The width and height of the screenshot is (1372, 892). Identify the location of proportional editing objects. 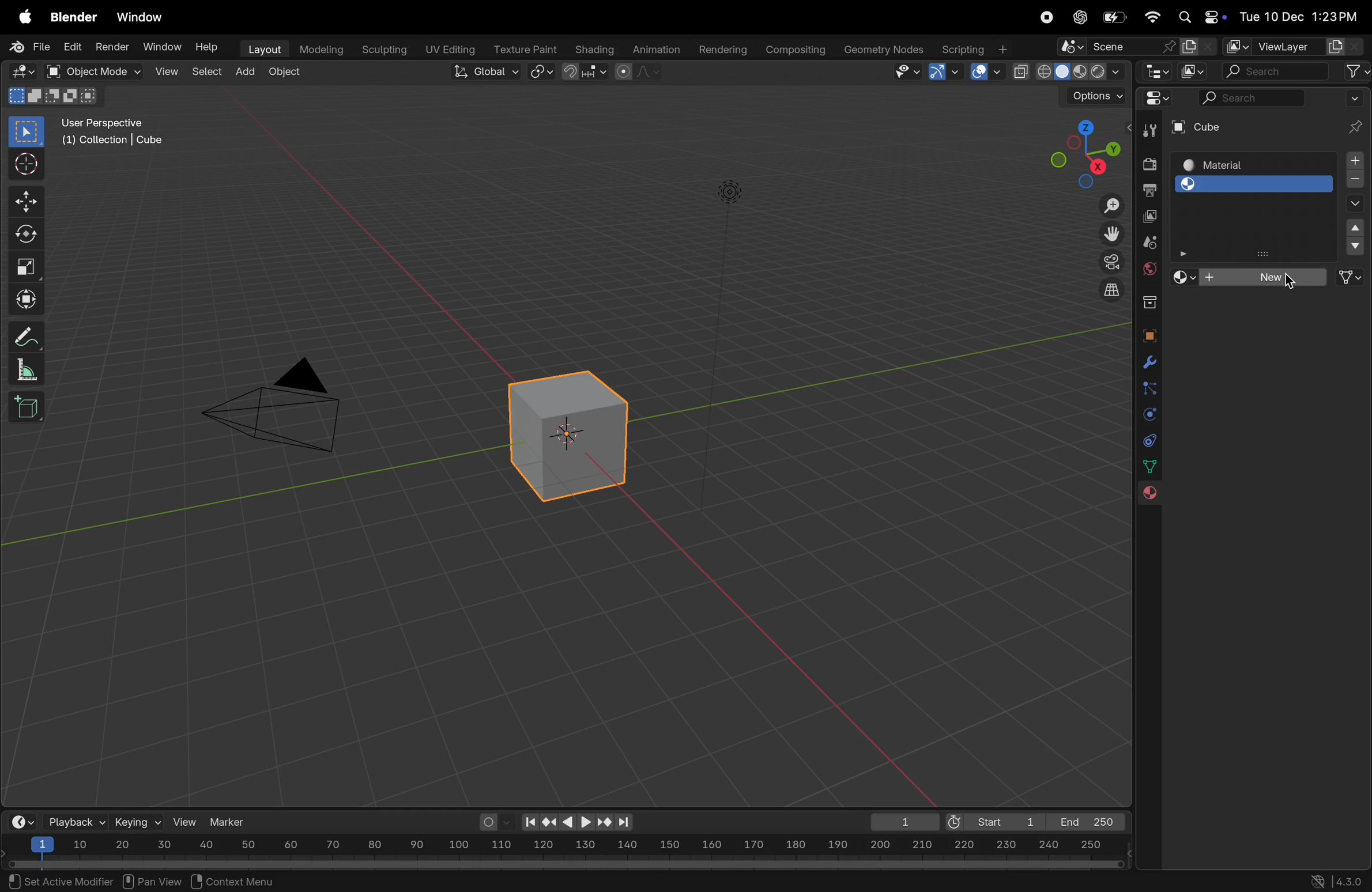
(640, 73).